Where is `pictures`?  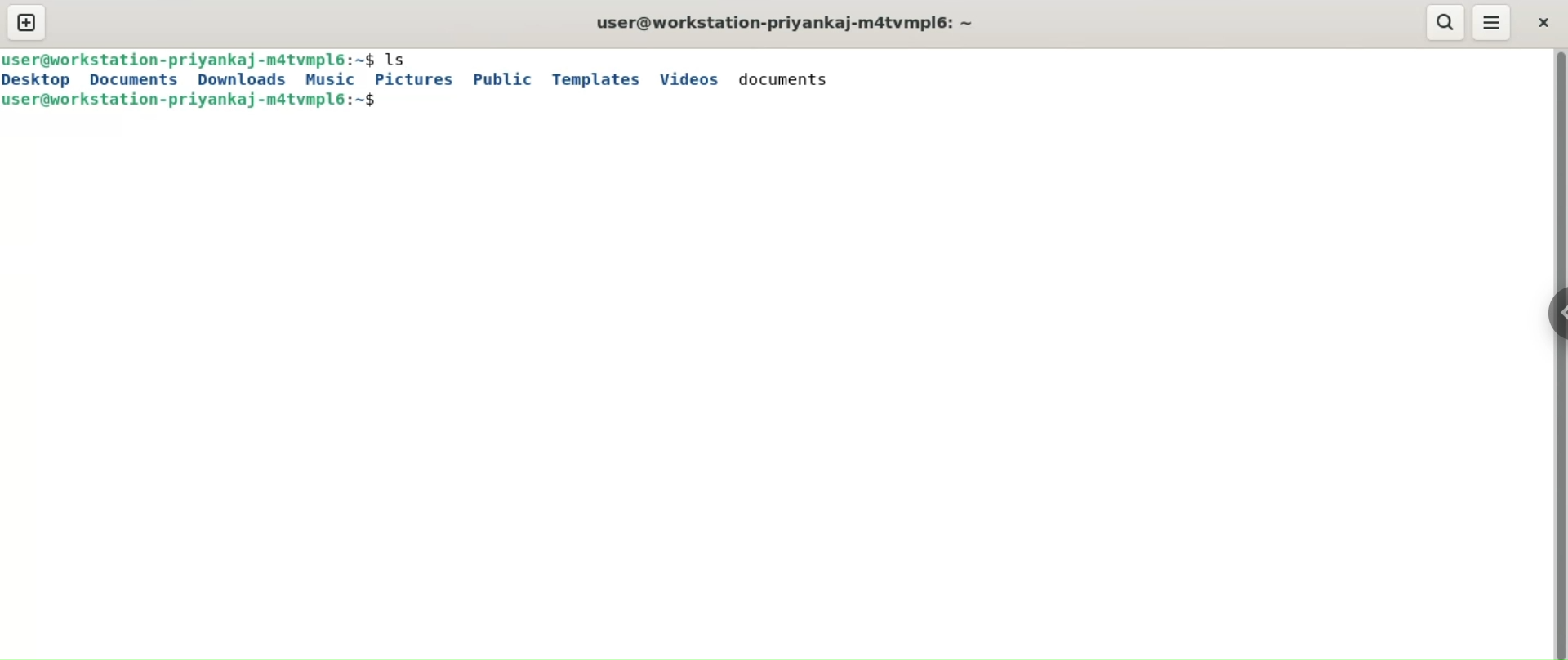 pictures is located at coordinates (417, 78).